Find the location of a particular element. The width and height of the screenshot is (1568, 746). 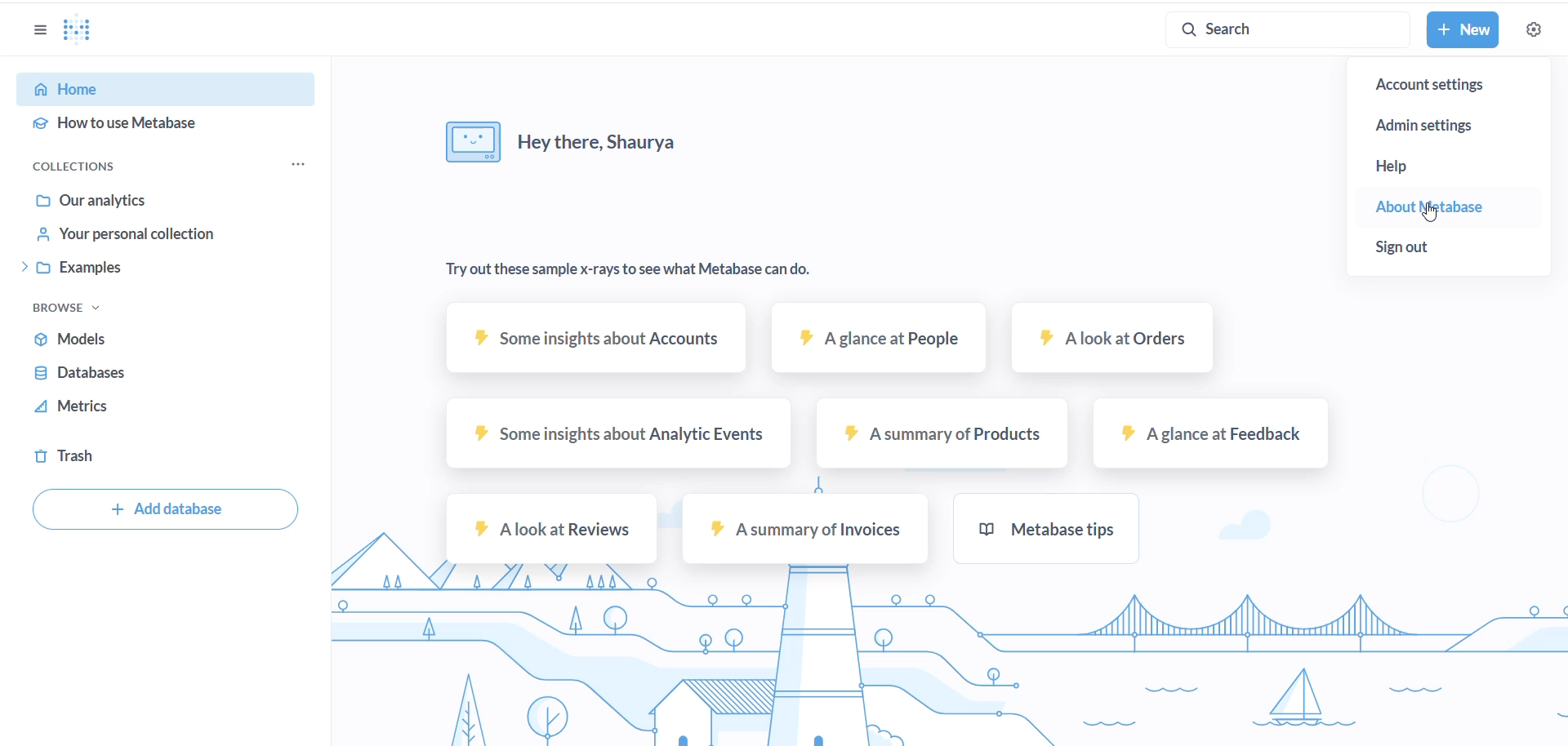

A summary of invoices is located at coordinates (805, 531).